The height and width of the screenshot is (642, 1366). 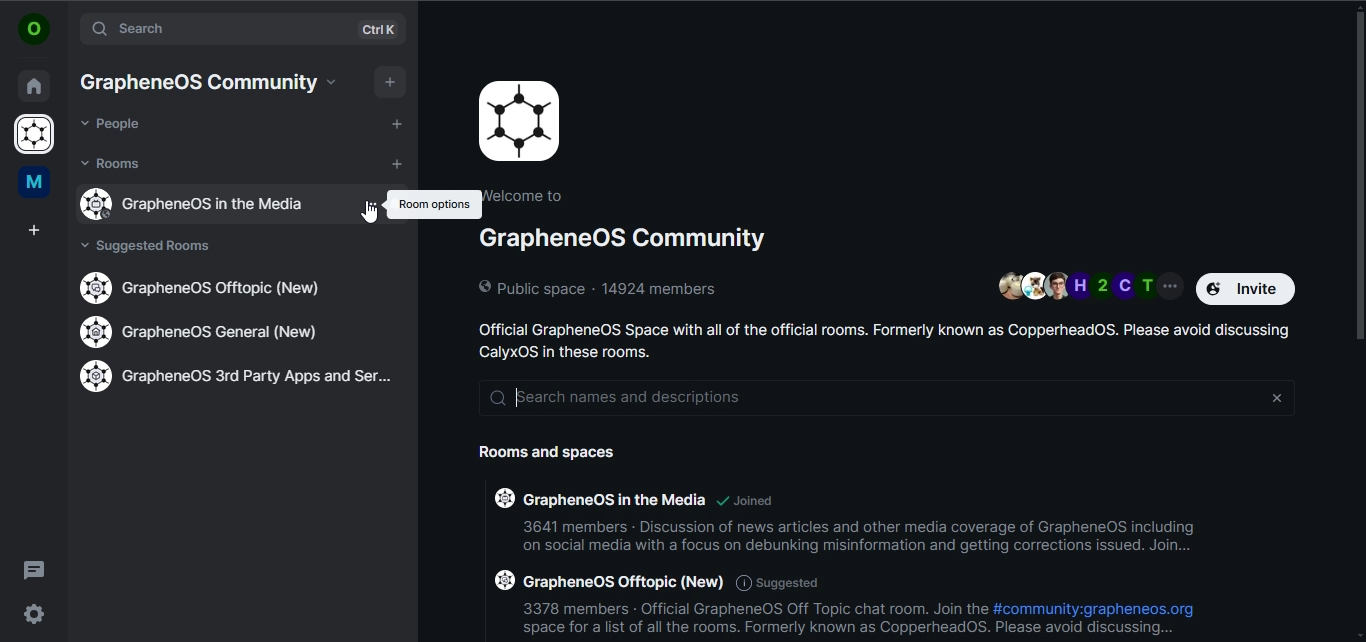 I want to click on grapheneOS, so click(x=37, y=136).